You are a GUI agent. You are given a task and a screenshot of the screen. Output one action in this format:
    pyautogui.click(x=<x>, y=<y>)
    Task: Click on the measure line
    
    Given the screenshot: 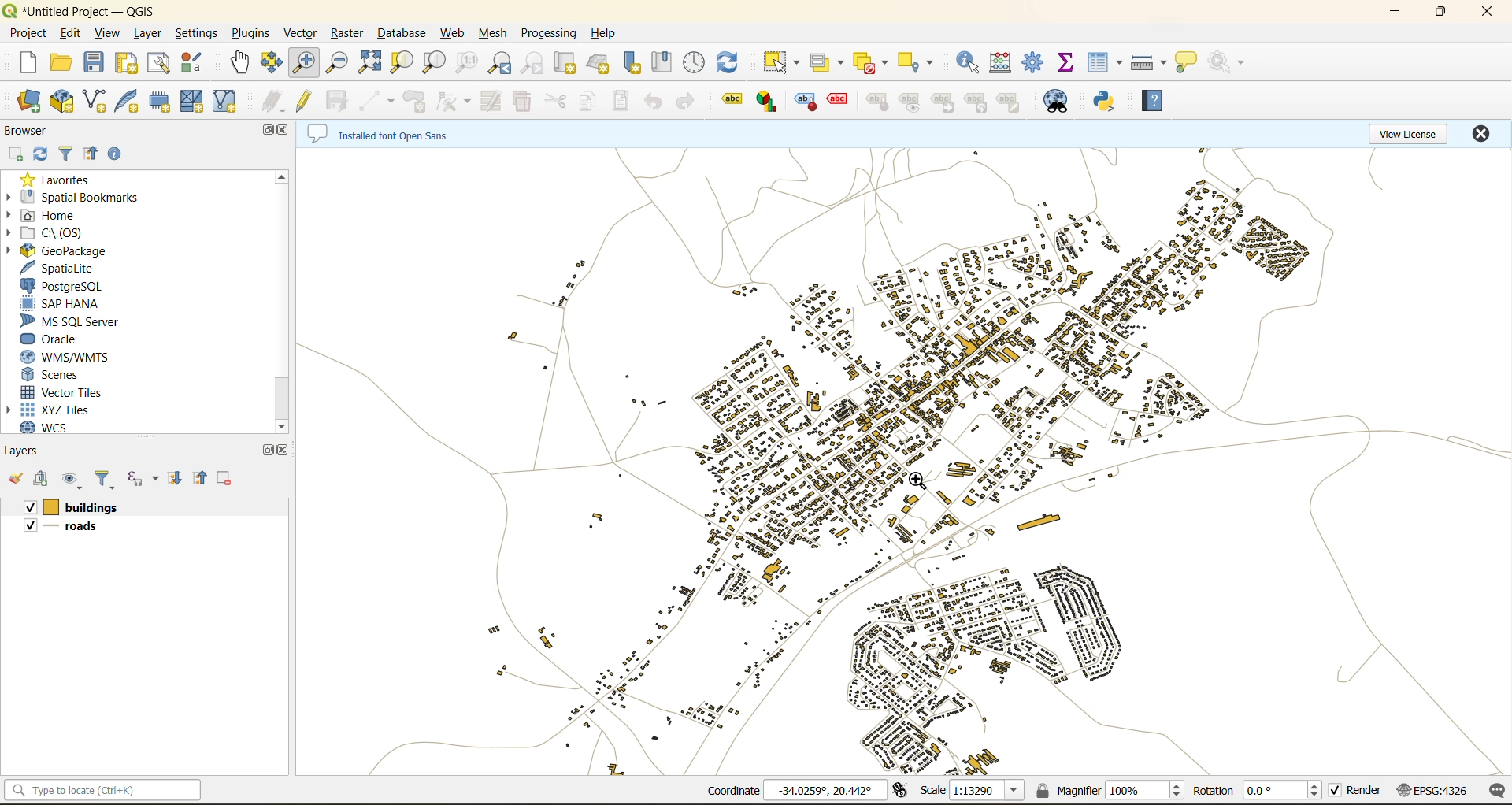 What is the action you would take?
    pyautogui.click(x=1149, y=60)
    